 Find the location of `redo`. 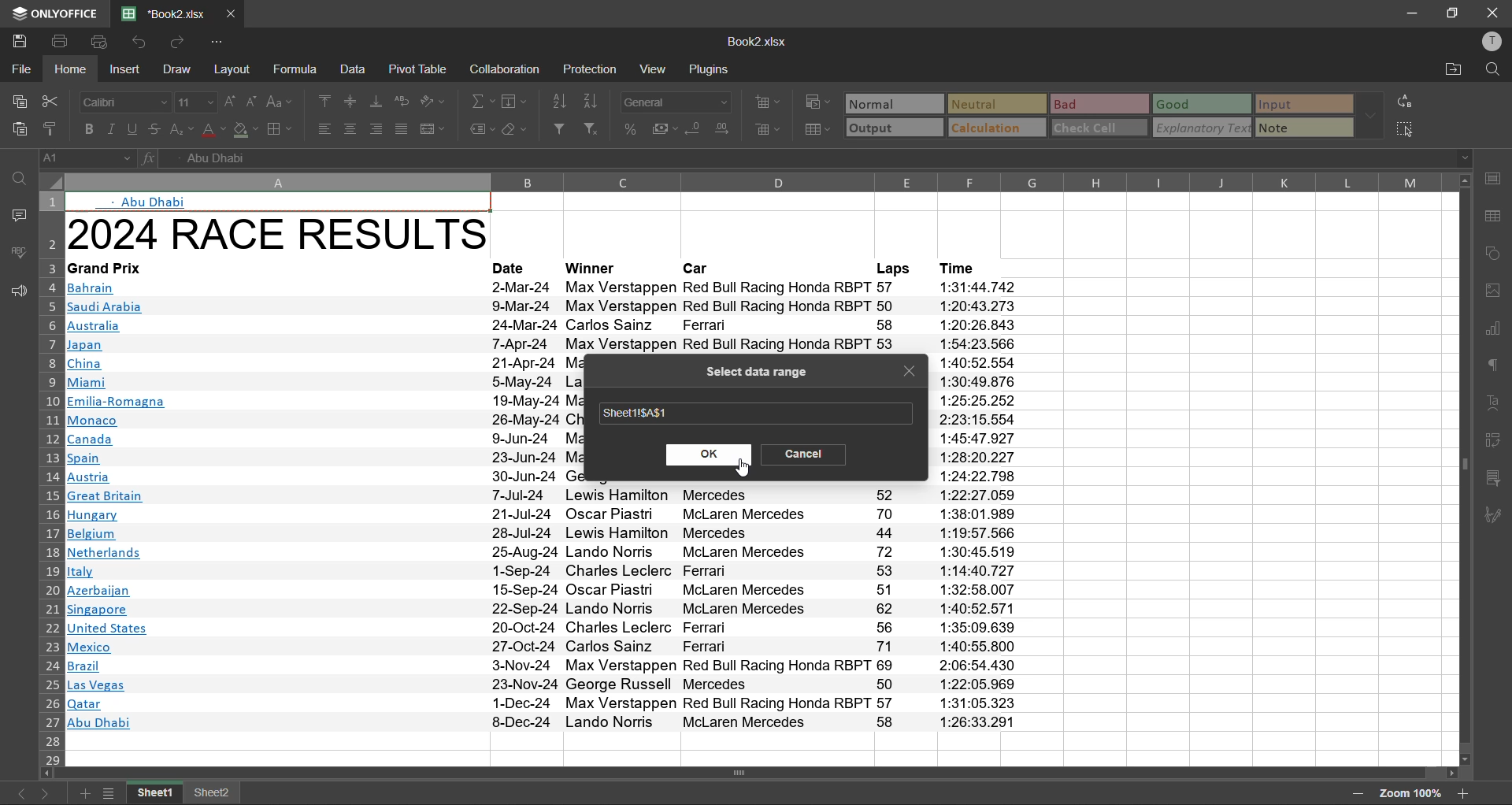

redo is located at coordinates (180, 42).